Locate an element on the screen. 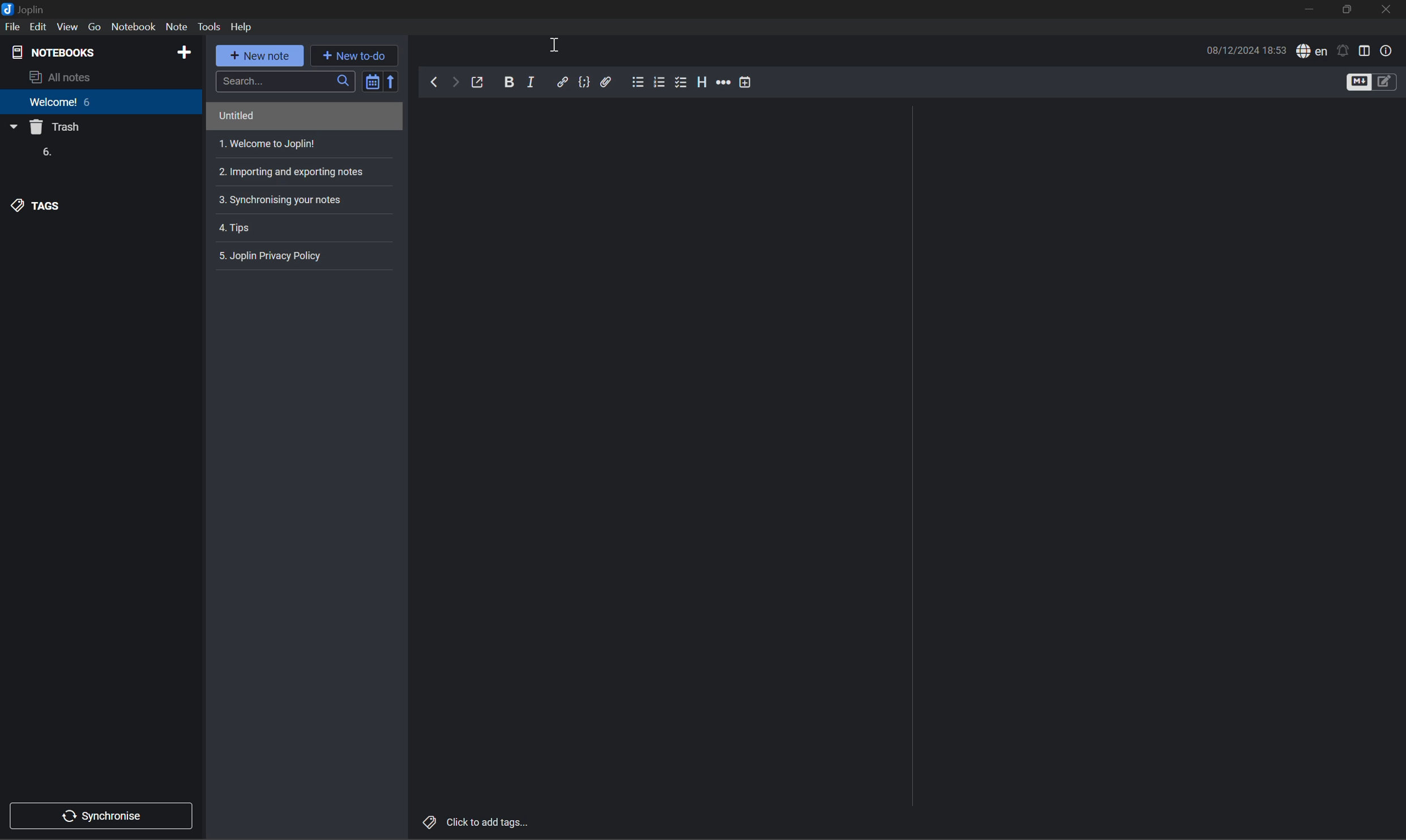 The height and width of the screenshot is (840, 1406). Synchronise is located at coordinates (105, 814).